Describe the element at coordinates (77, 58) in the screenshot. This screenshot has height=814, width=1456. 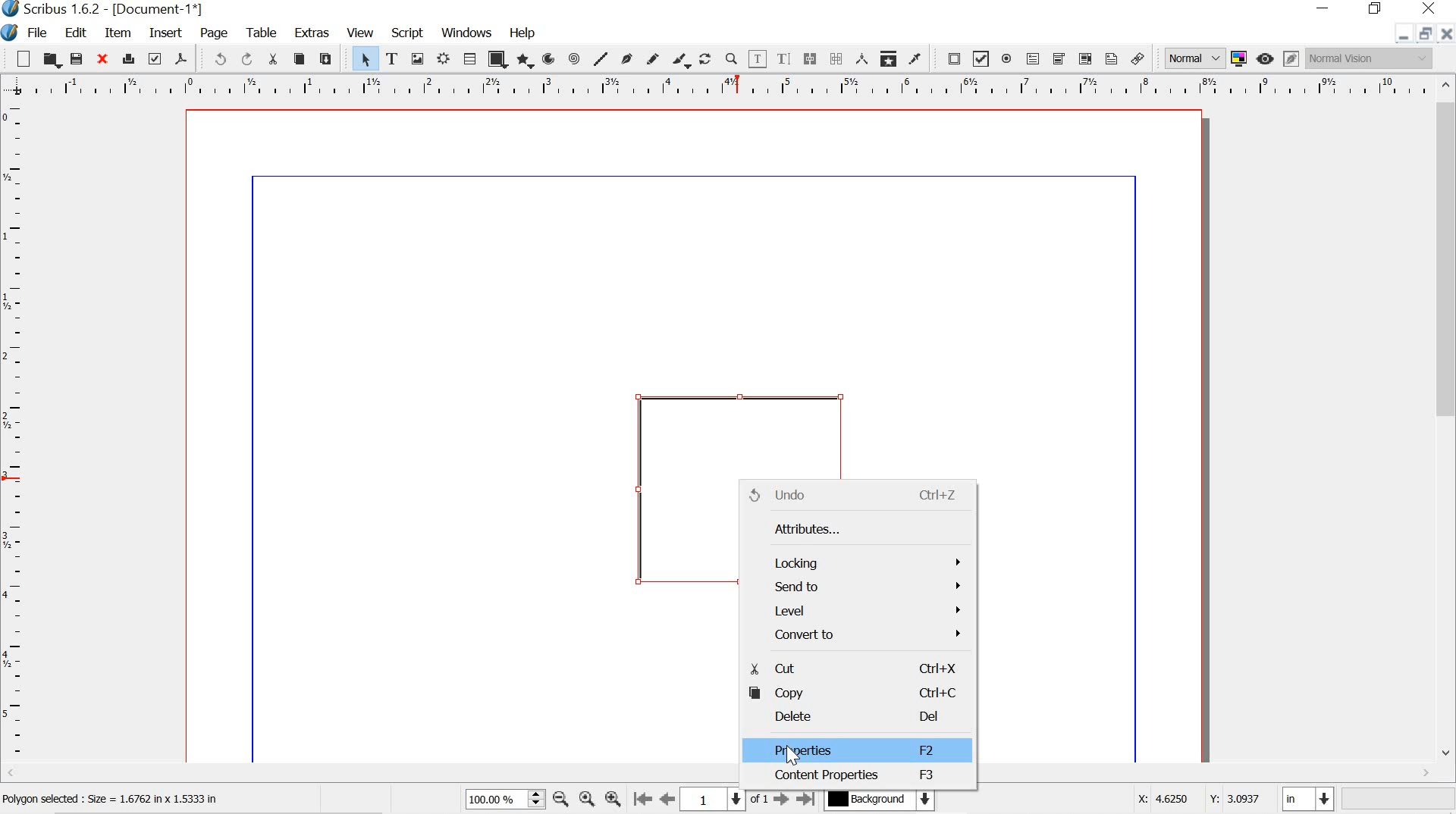
I see `save` at that location.